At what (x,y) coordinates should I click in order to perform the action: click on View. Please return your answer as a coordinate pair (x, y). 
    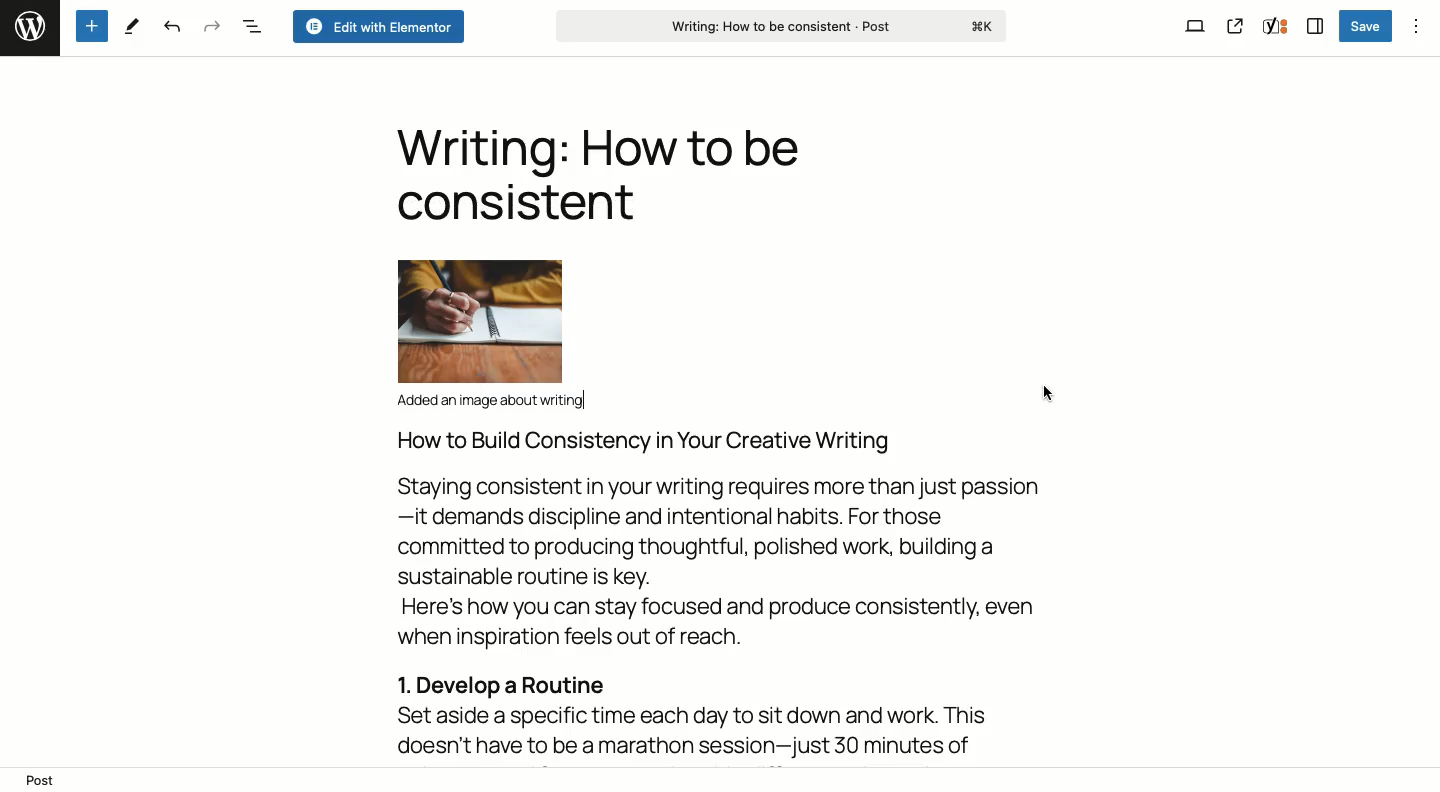
    Looking at the image, I should click on (1195, 25).